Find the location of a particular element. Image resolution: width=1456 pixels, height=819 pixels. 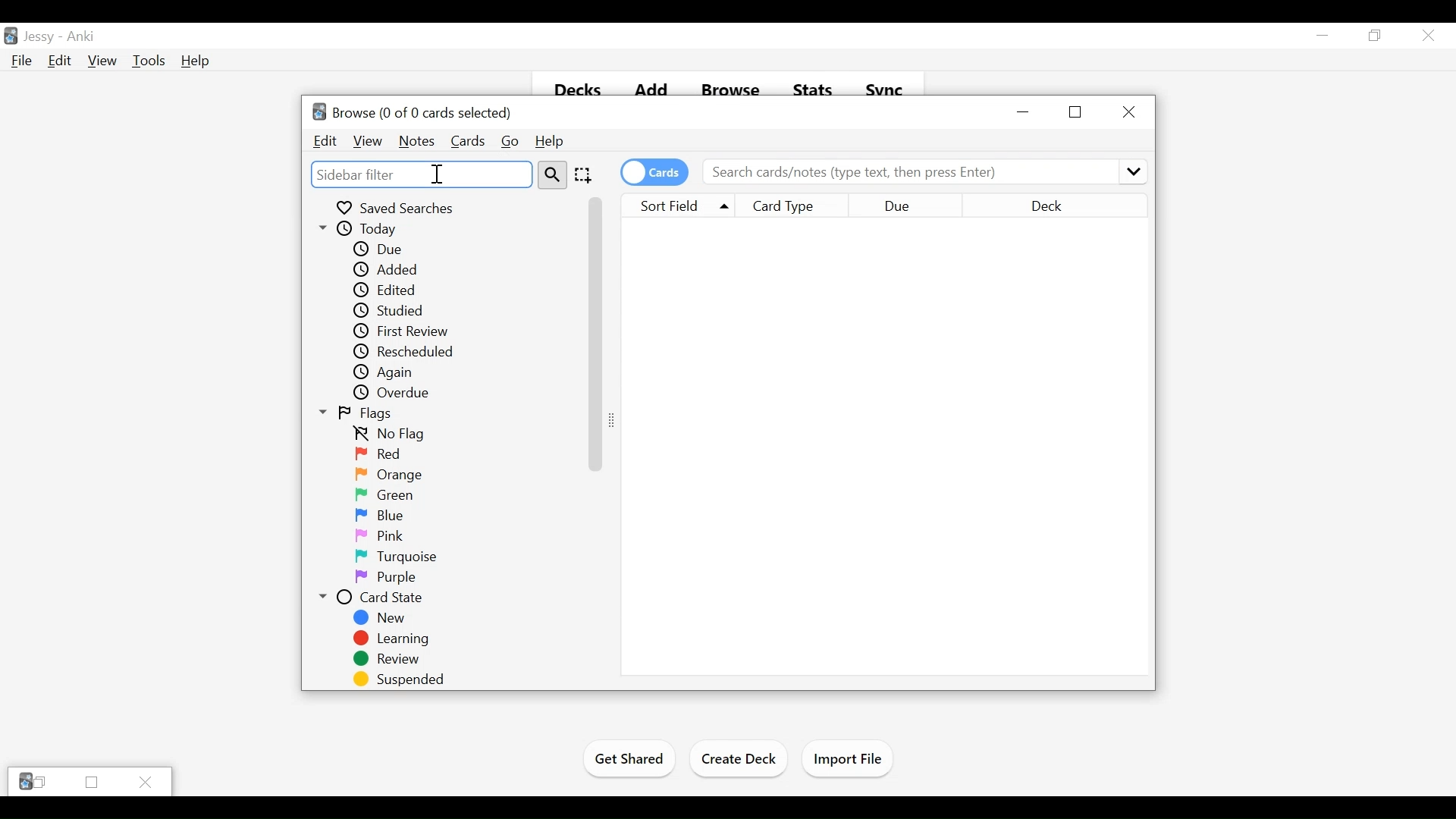

Suspended is located at coordinates (401, 679).